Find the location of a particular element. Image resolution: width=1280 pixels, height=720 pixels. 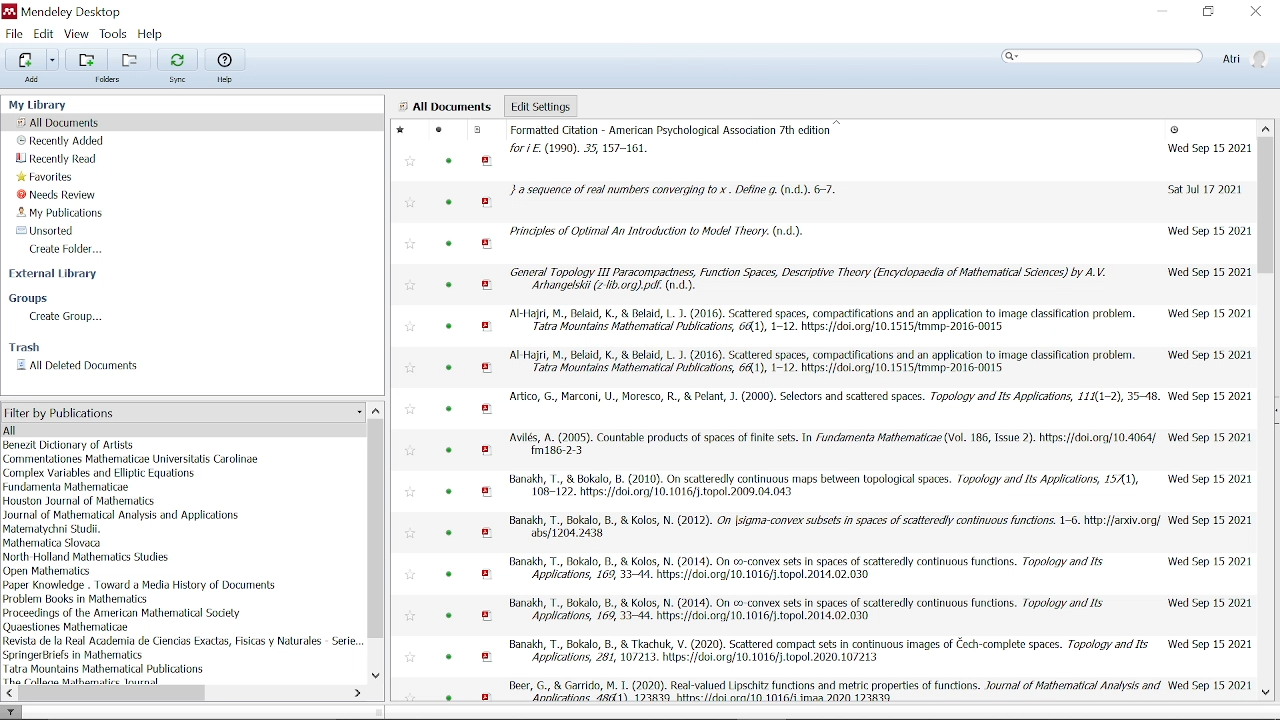

author is located at coordinates (183, 640).